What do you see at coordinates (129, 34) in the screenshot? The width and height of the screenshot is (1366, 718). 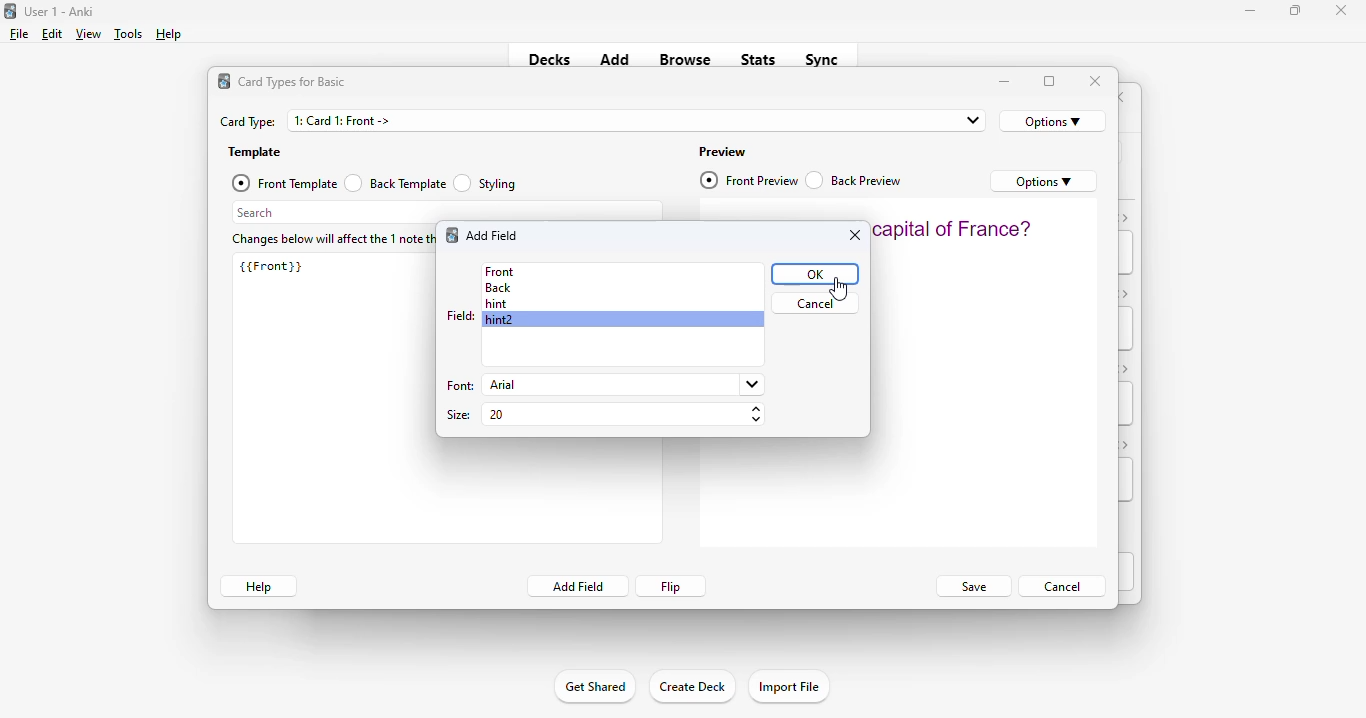 I see `tools` at bounding box center [129, 34].